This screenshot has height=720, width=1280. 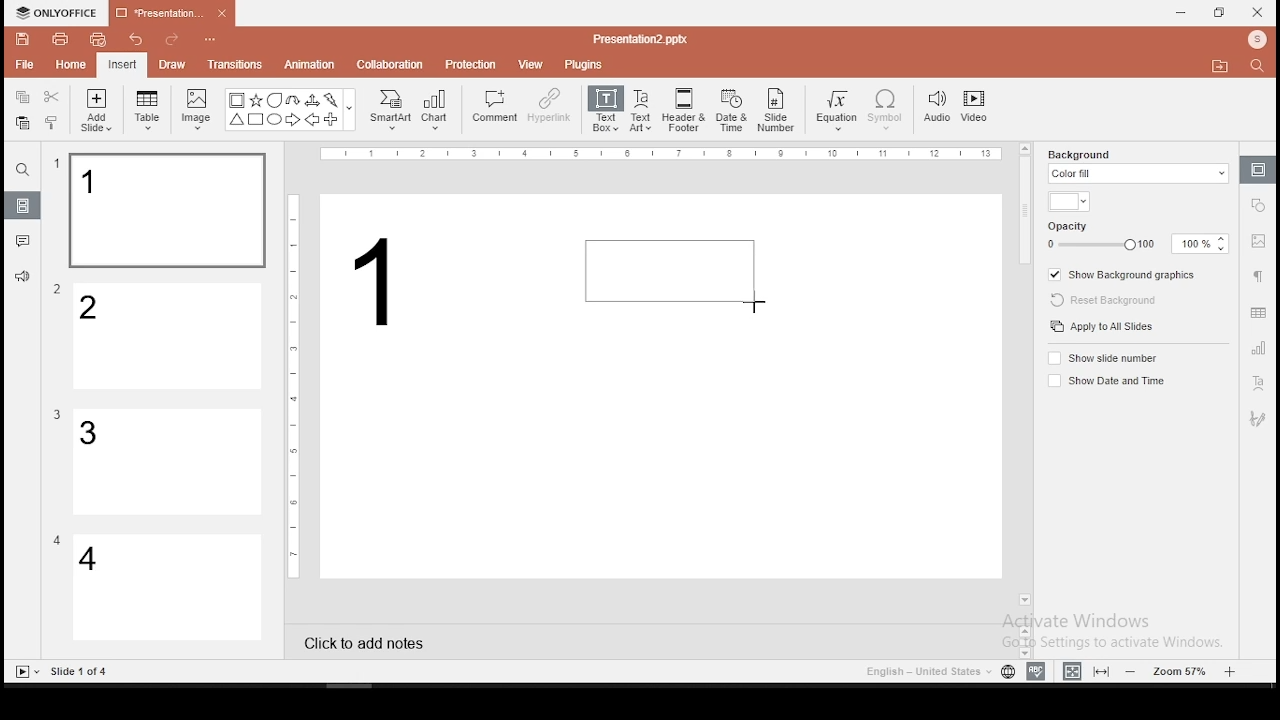 What do you see at coordinates (24, 206) in the screenshot?
I see `slides` at bounding box center [24, 206].